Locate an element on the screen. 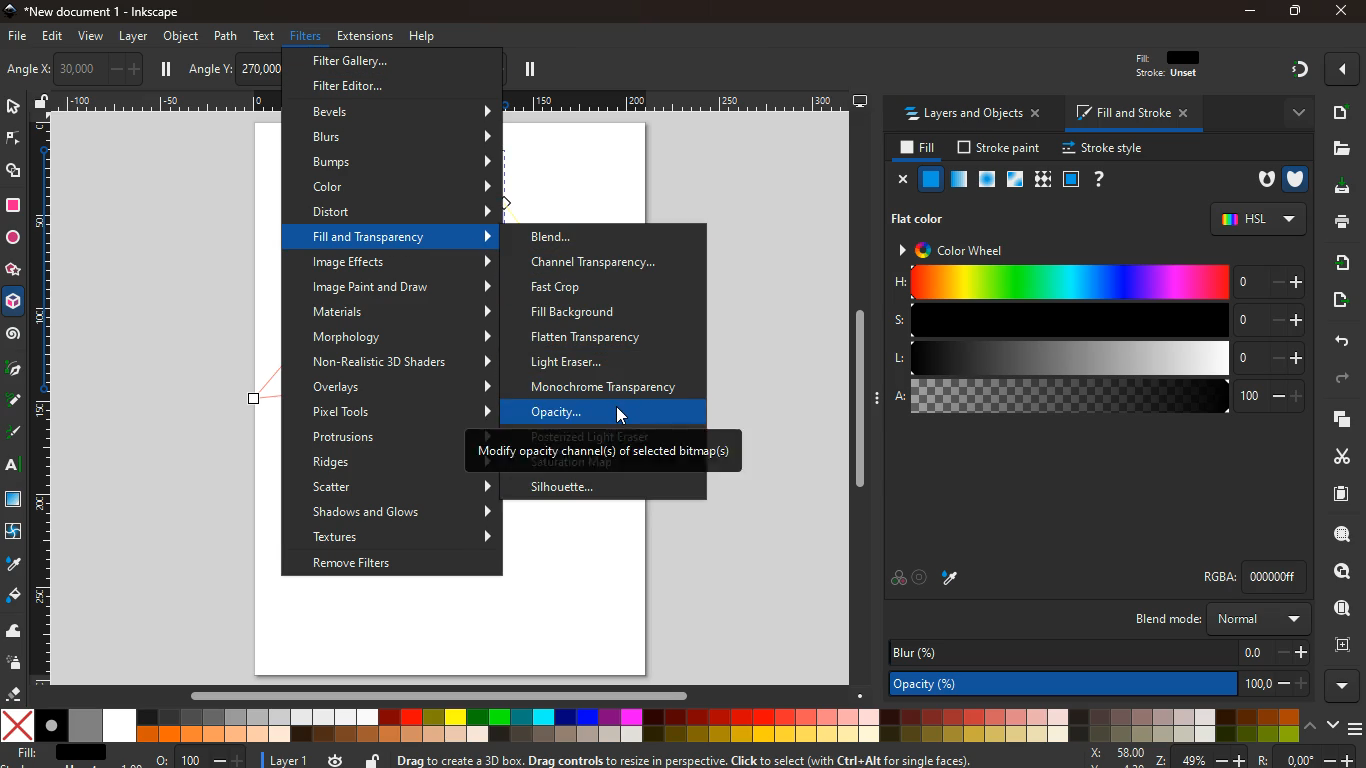  filter gallery is located at coordinates (363, 62).